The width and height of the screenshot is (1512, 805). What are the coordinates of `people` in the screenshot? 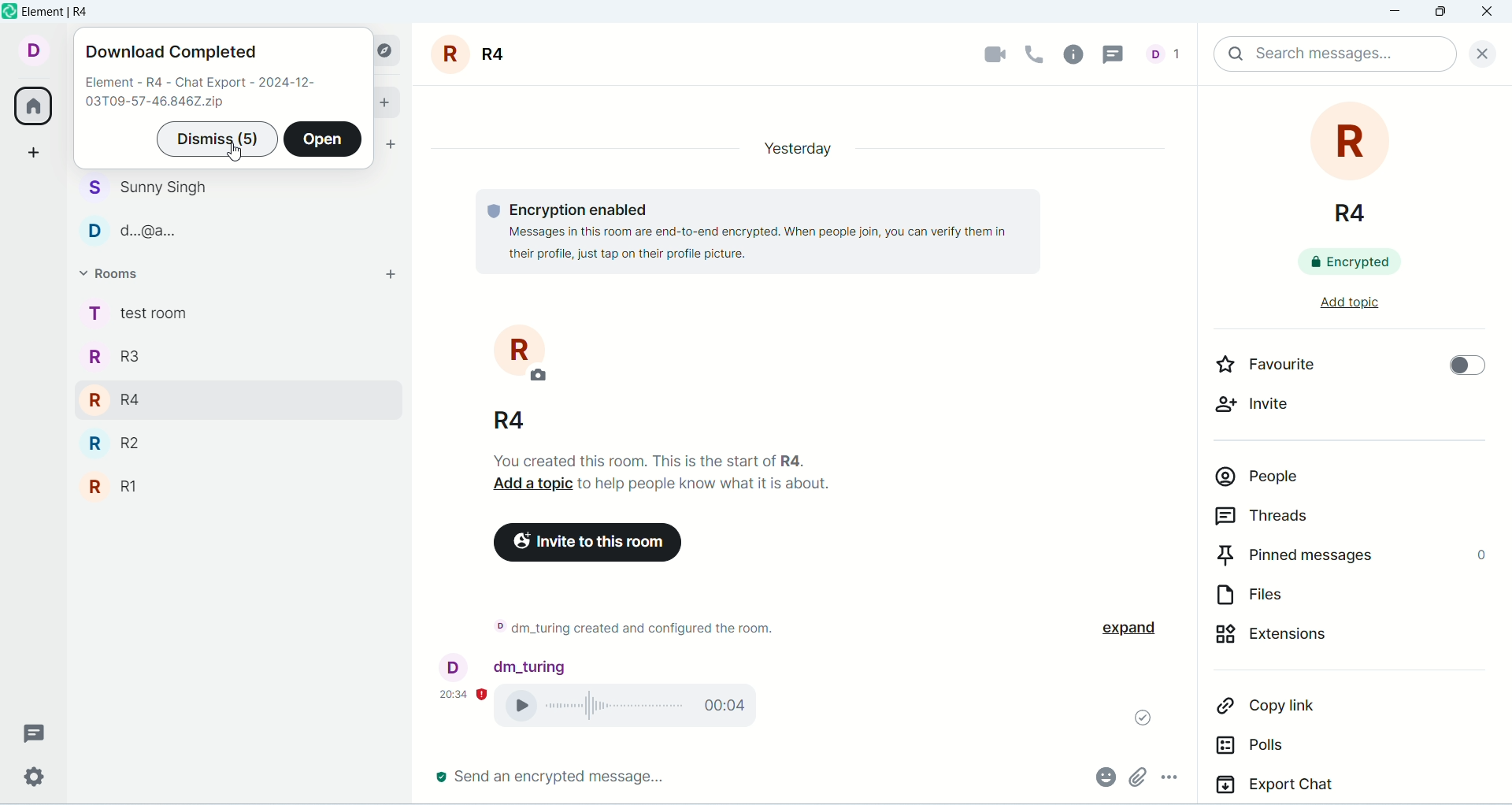 It's located at (1333, 483).